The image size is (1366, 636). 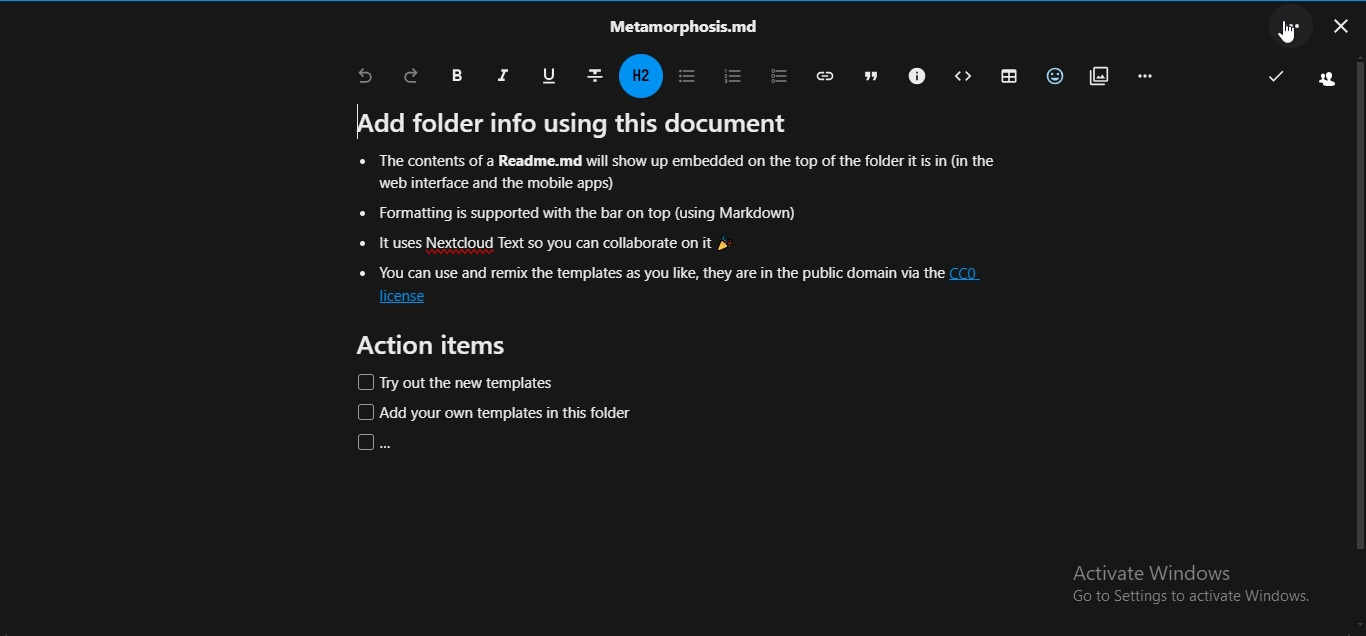 I want to click on text, so click(x=687, y=28).